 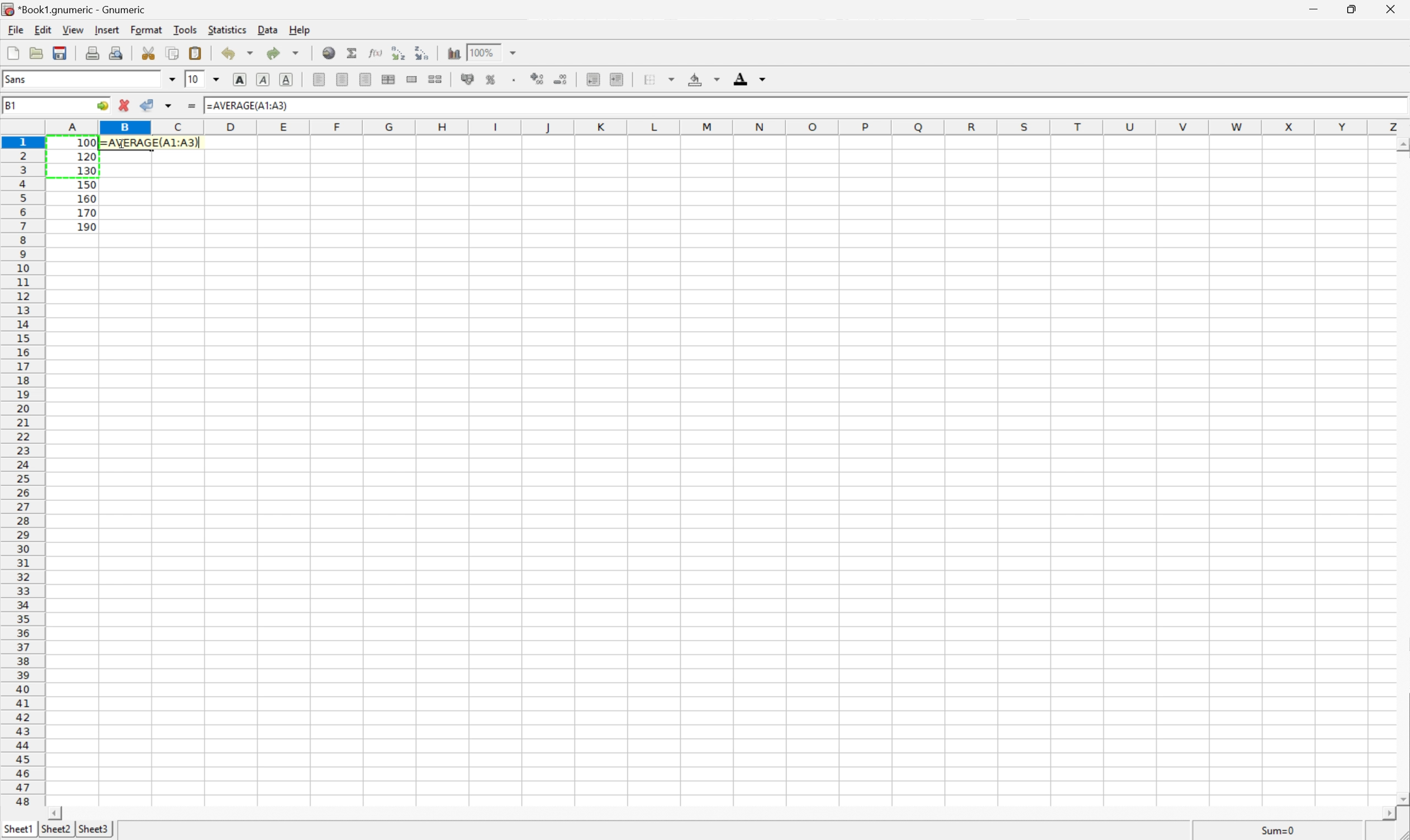 What do you see at coordinates (1351, 10) in the screenshot?
I see `Restore Down` at bounding box center [1351, 10].